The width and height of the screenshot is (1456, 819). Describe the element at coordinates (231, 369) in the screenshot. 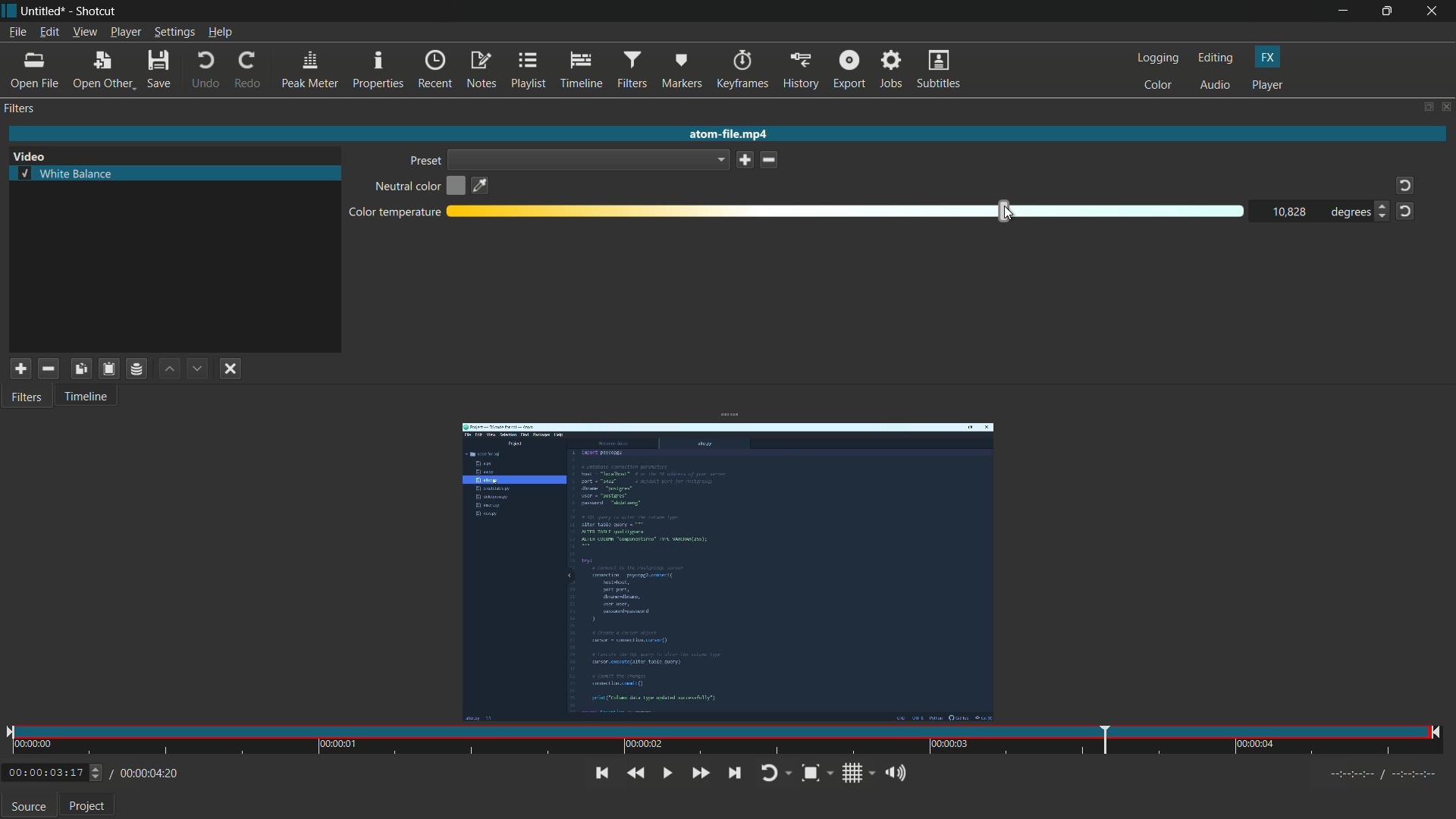

I see `deselect filter` at that location.